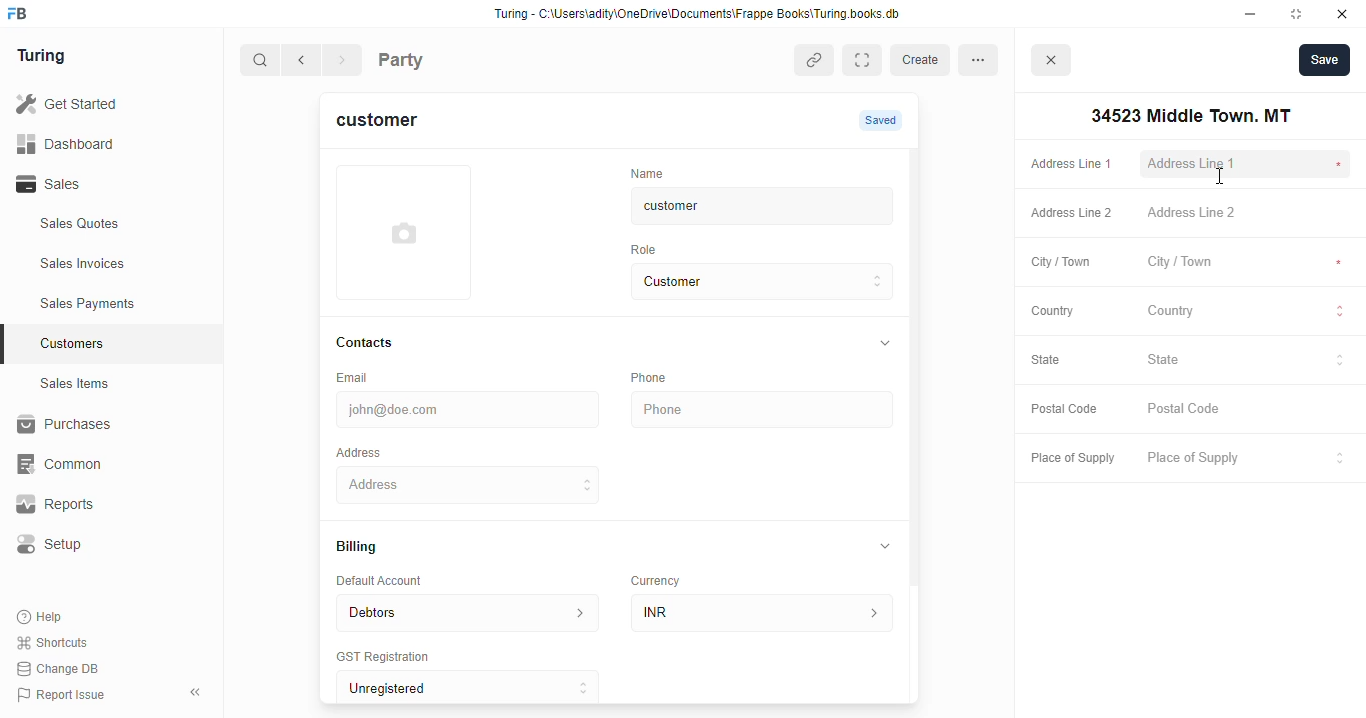  Describe the element at coordinates (923, 60) in the screenshot. I see `create` at that location.